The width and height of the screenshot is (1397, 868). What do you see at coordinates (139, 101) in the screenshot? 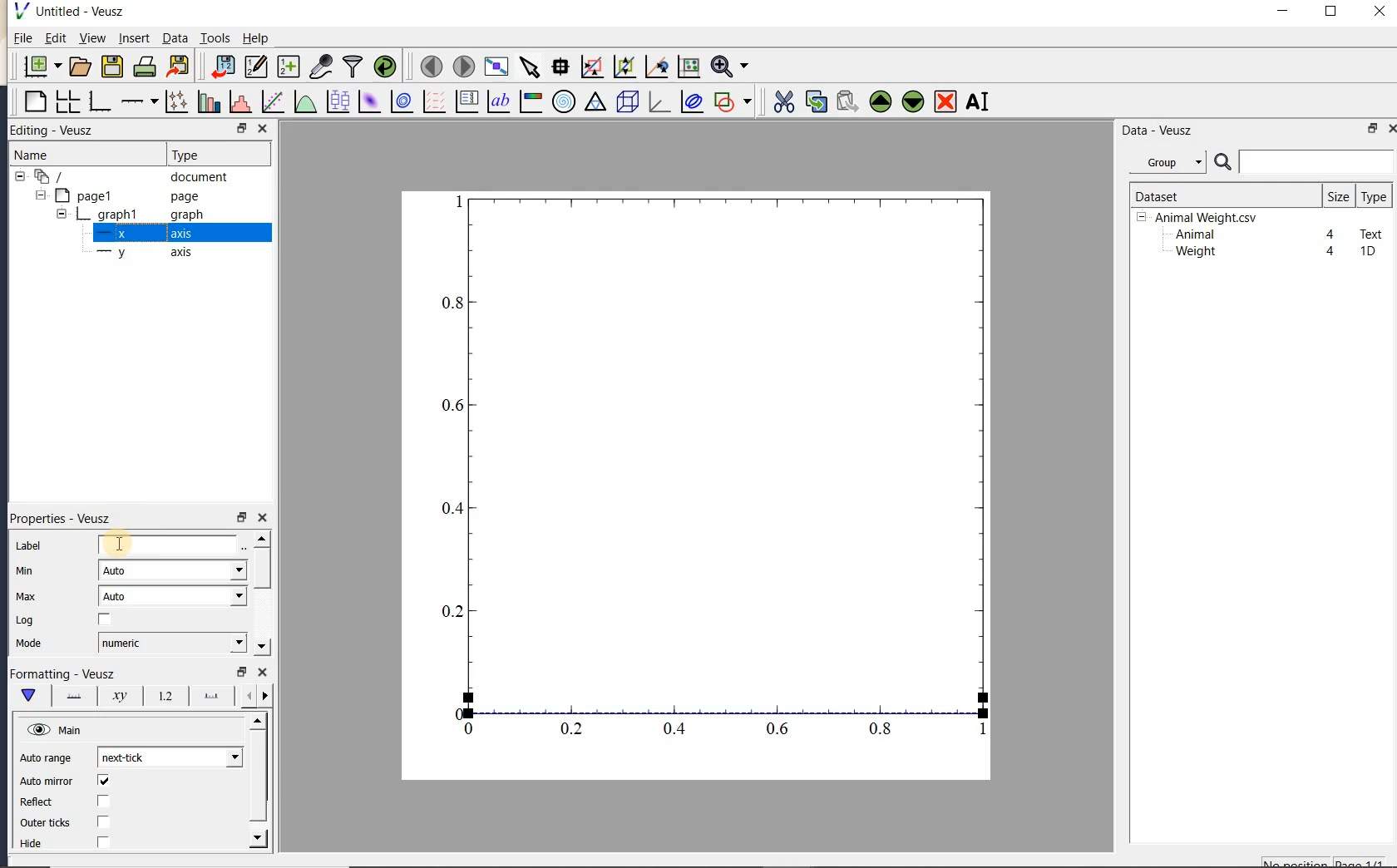
I see `add an axis to the plot` at bounding box center [139, 101].